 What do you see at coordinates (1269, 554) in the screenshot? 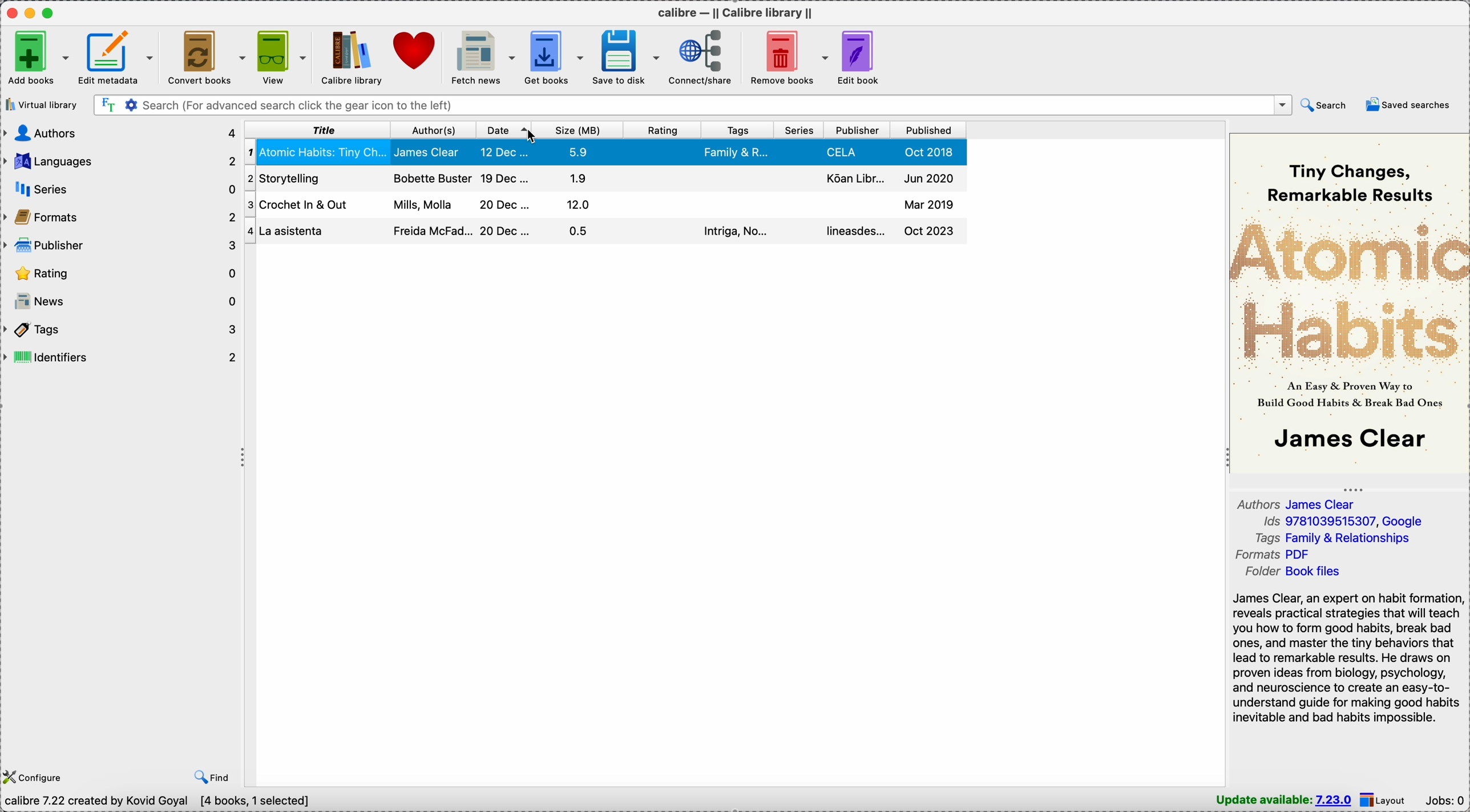
I see `formats PDF` at bounding box center [1269, 554].